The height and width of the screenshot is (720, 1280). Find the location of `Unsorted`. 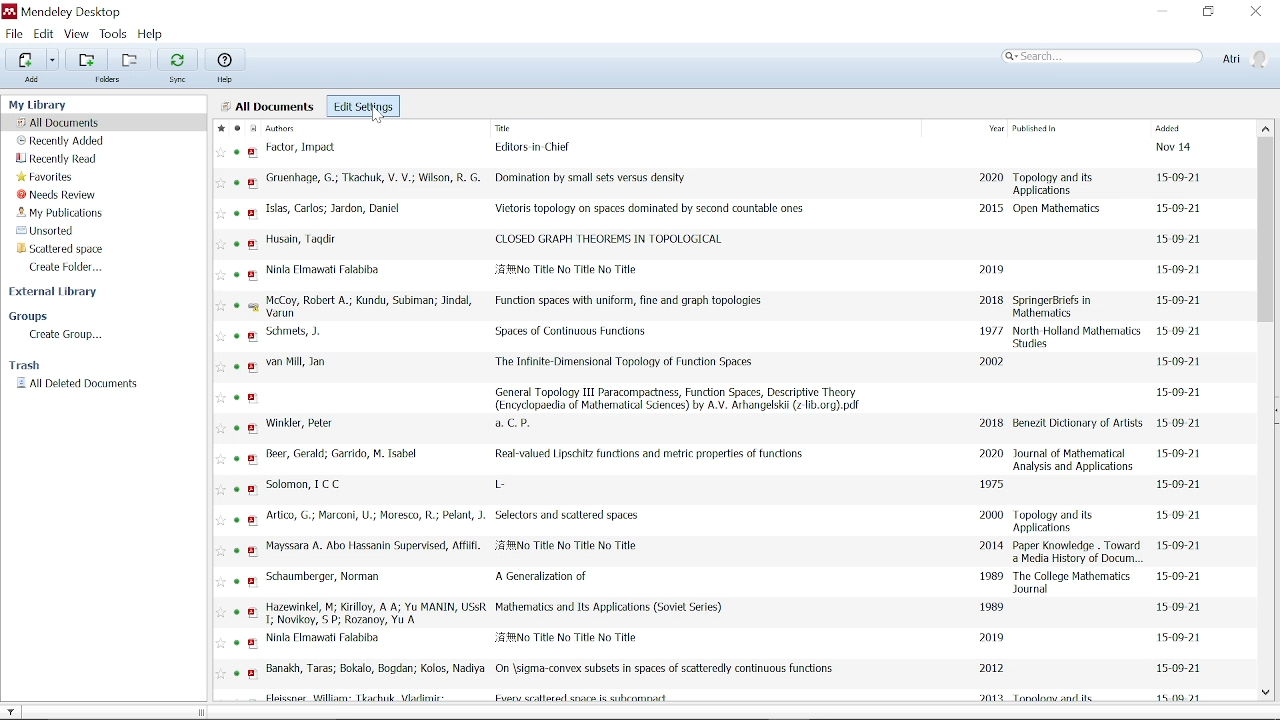

Unsorted is located at coordinates (61, 232).